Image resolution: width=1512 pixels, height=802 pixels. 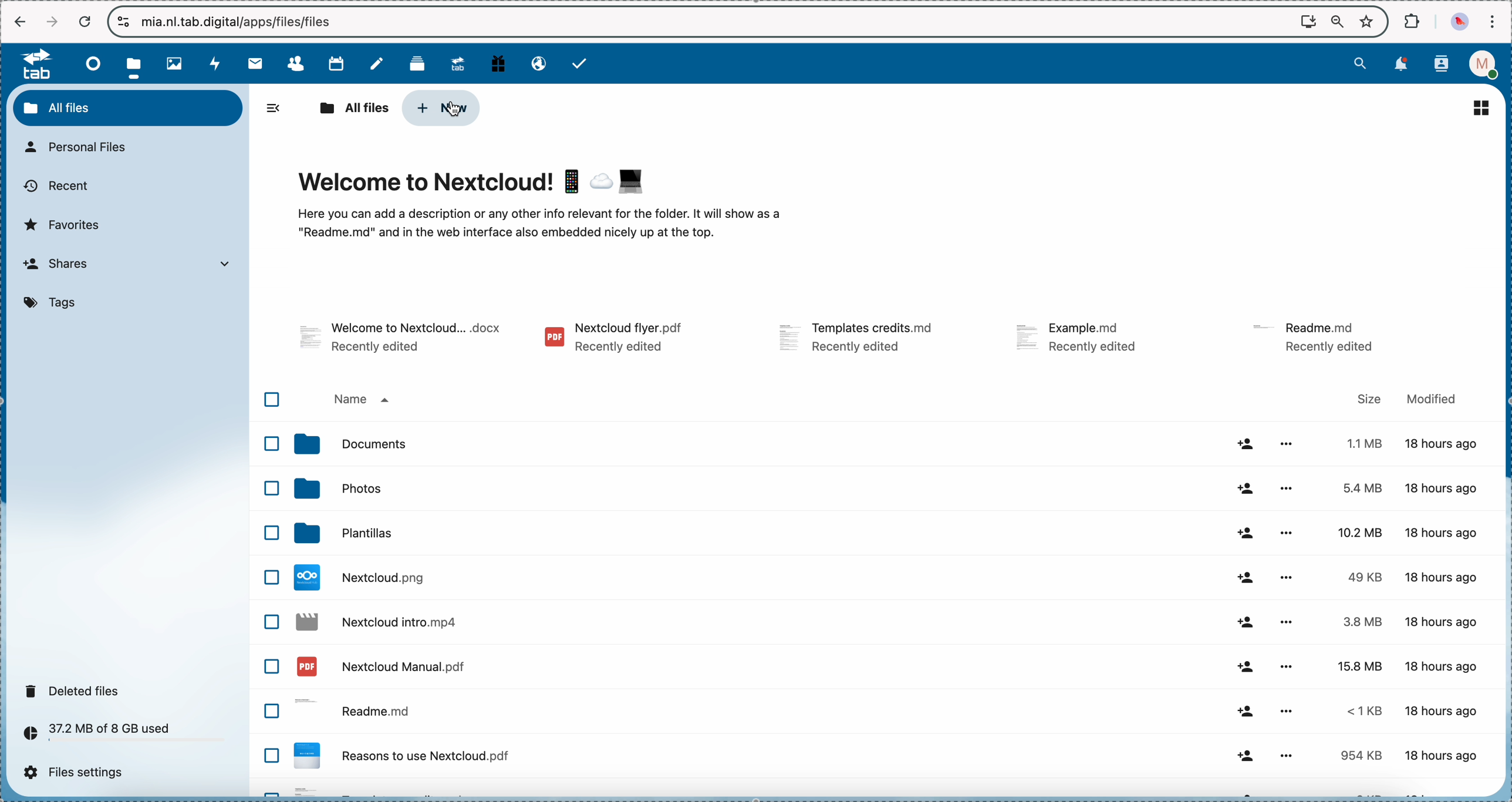 I want to click on more options, so click(x=1284, y=712).